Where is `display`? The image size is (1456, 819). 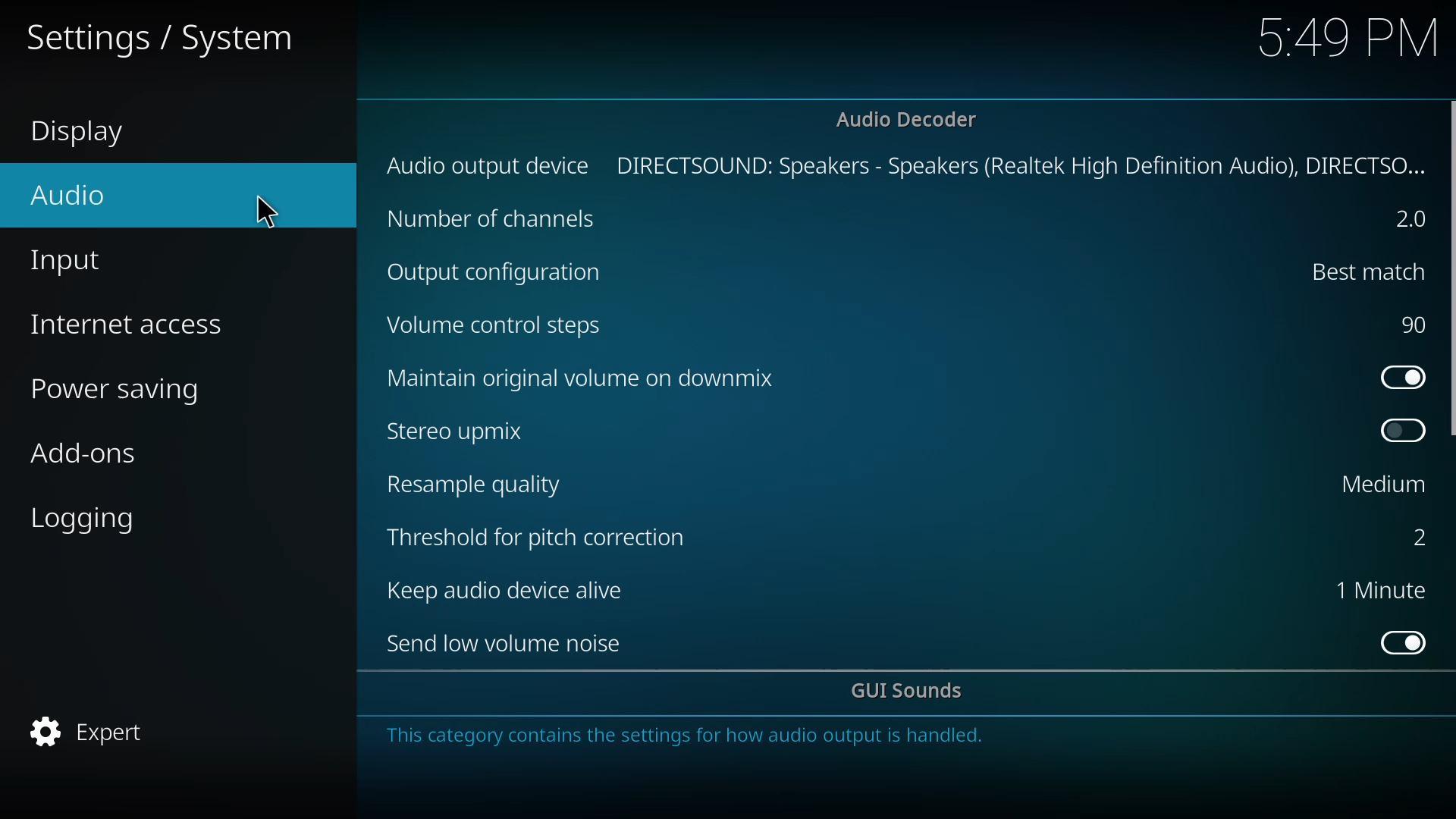 display is located at coordinates (83, 132).